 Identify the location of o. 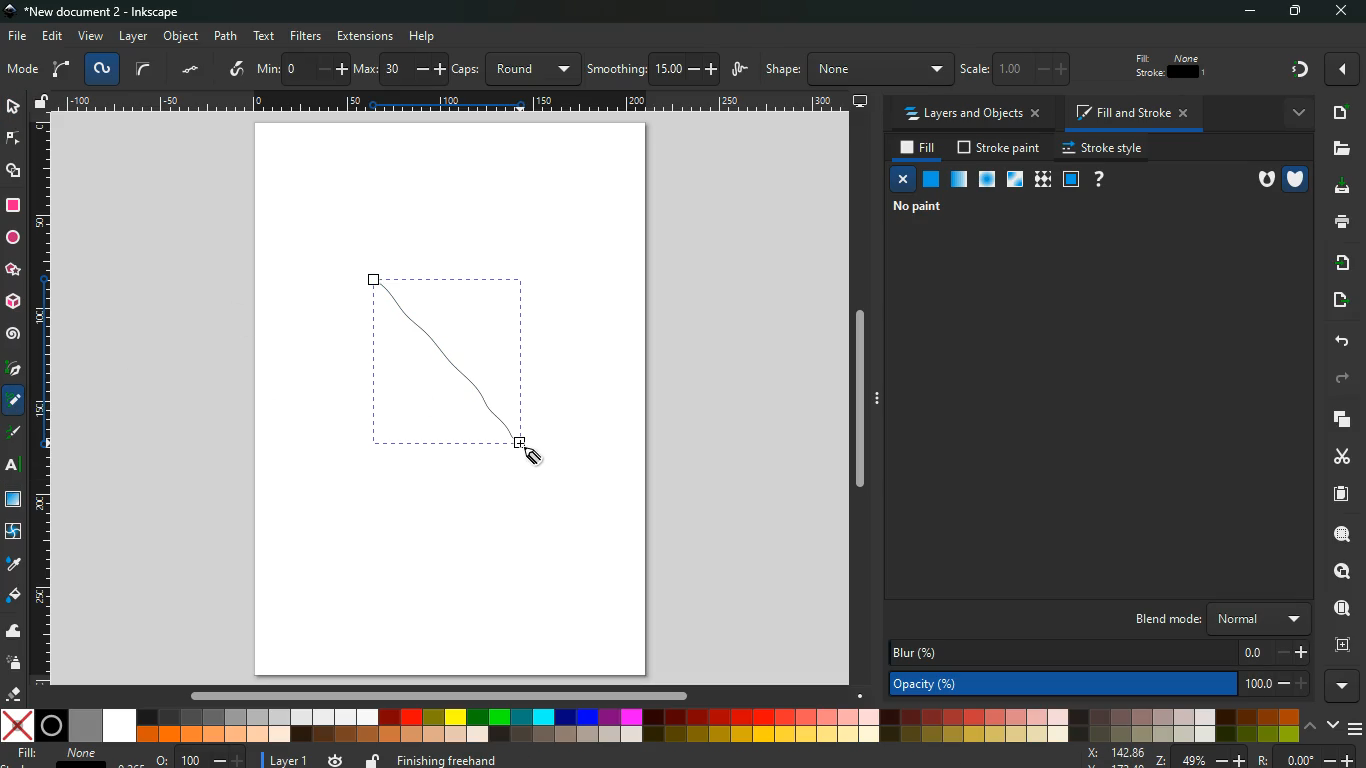
(201, 757).